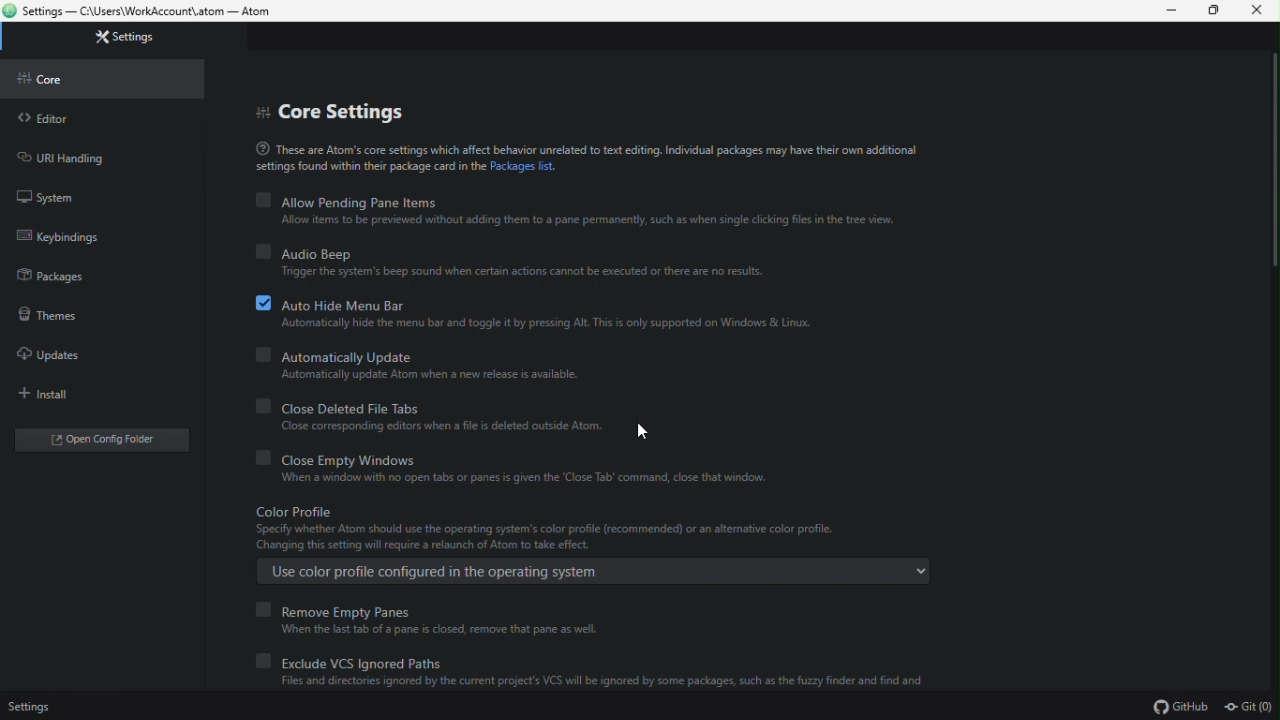 This screenshot has width=1280, height=720. I want to click on Specify whether Atom should use the operating system's color profile (recommended) or an alternative color profile. Changing this setting will require a relaunch of Atom take effect., so click(541, 537).